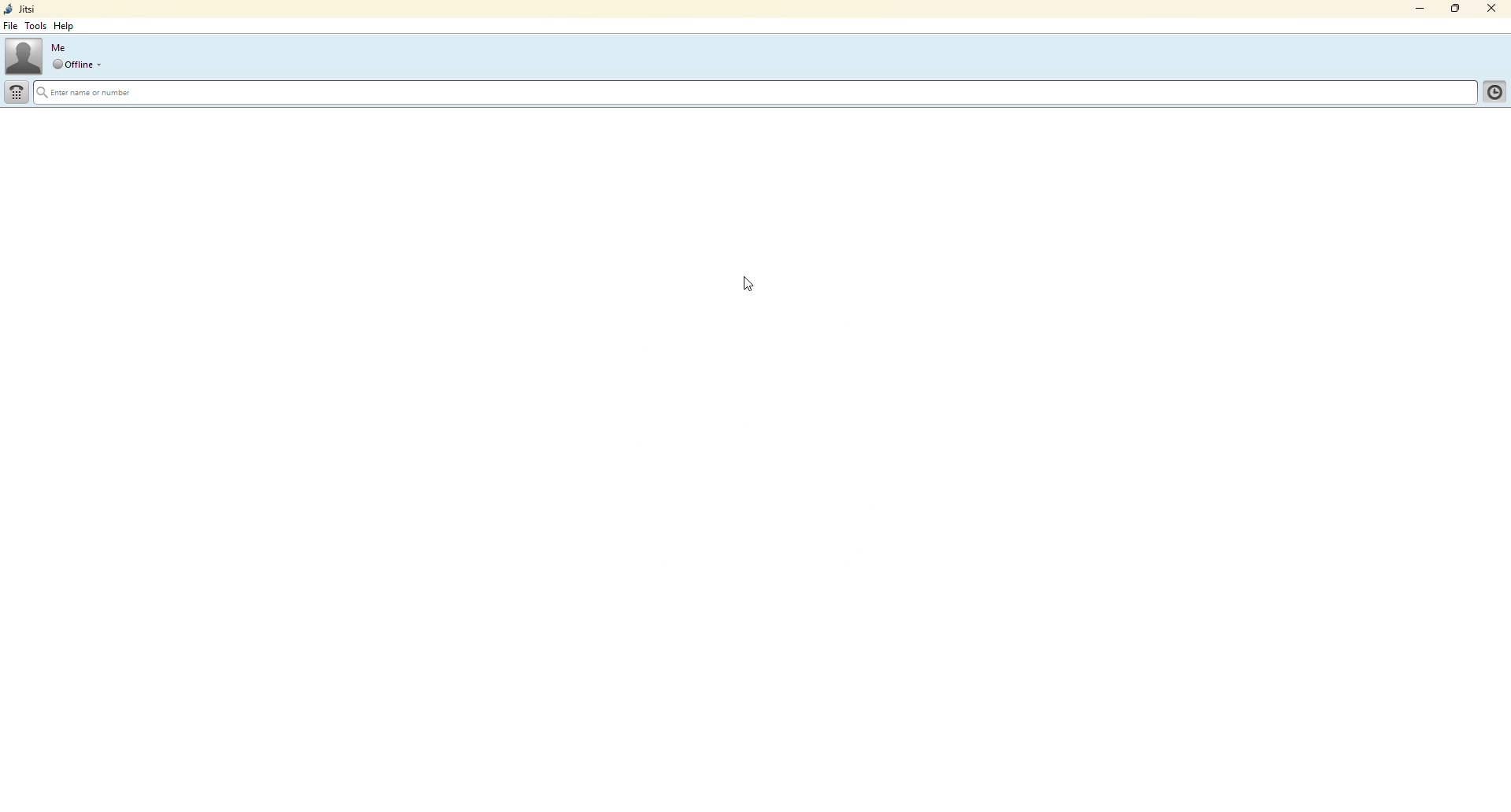 Image resolution: width=1511 pixels, height=812 pixels. I want to click on jitsi, so click(22, 9).